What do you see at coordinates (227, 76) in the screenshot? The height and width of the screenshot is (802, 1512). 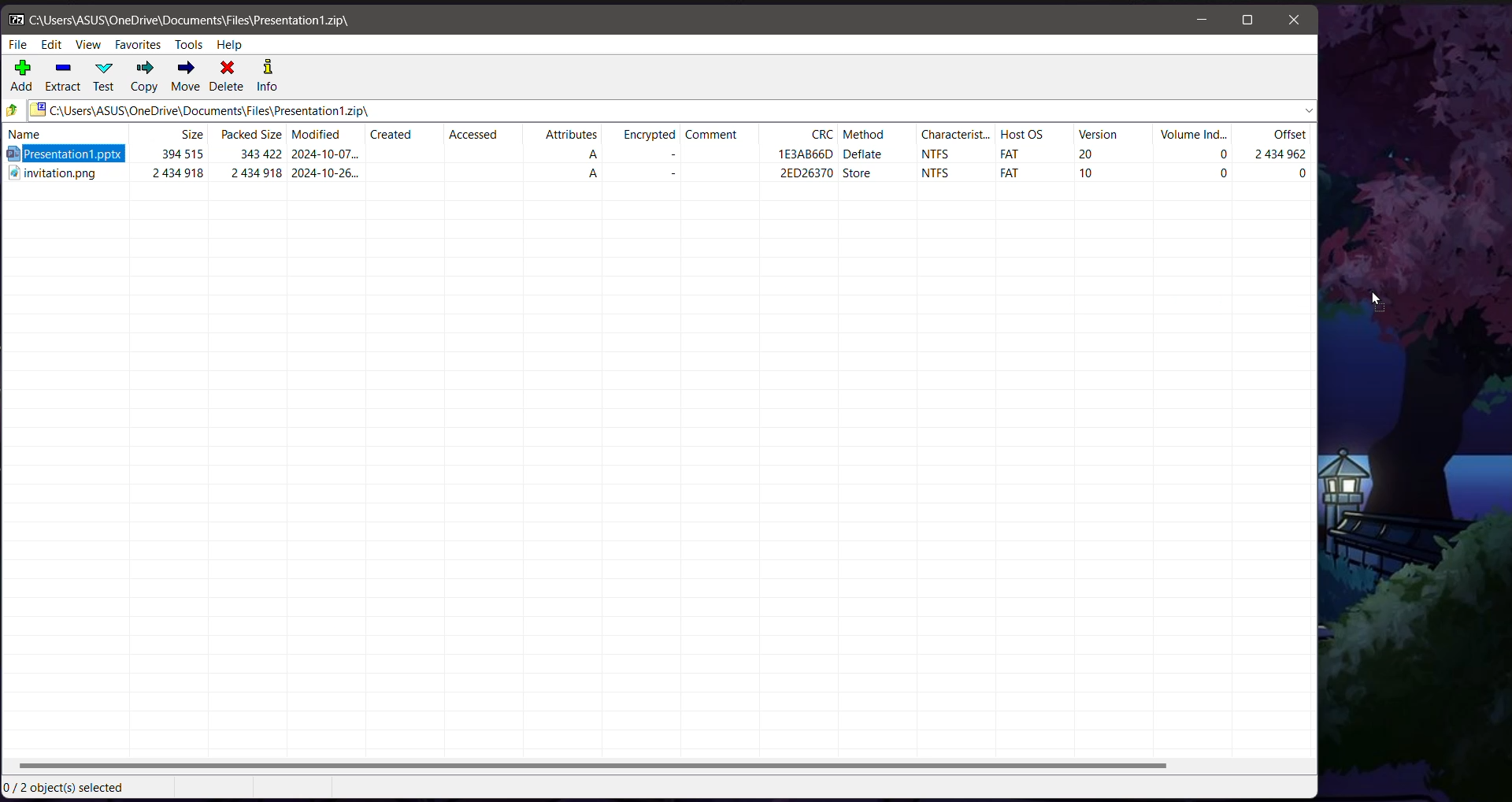 I see `Delete` at bounding box center [227, 76].